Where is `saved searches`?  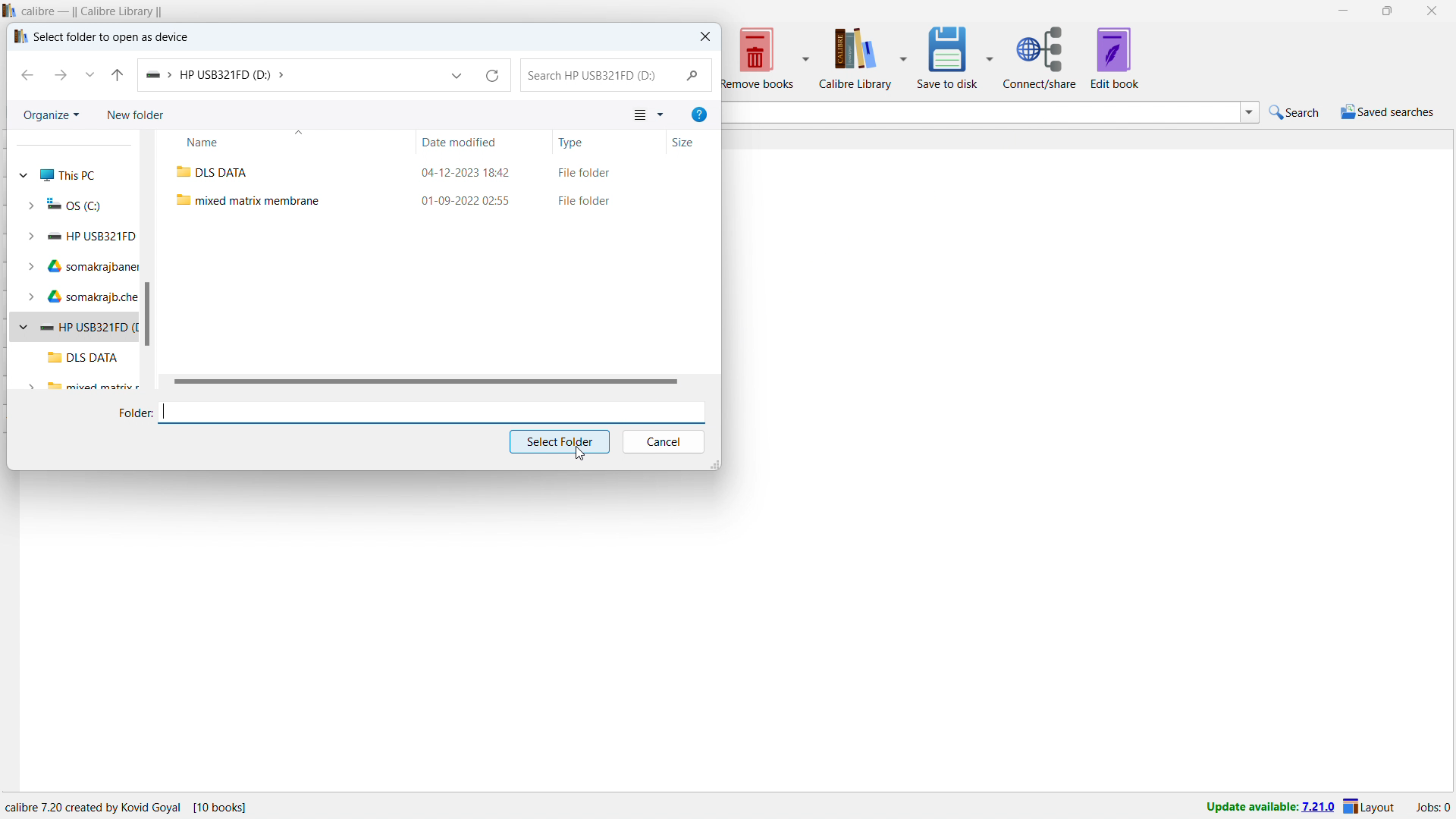 saved searches is located at coordinates (1388, 111).